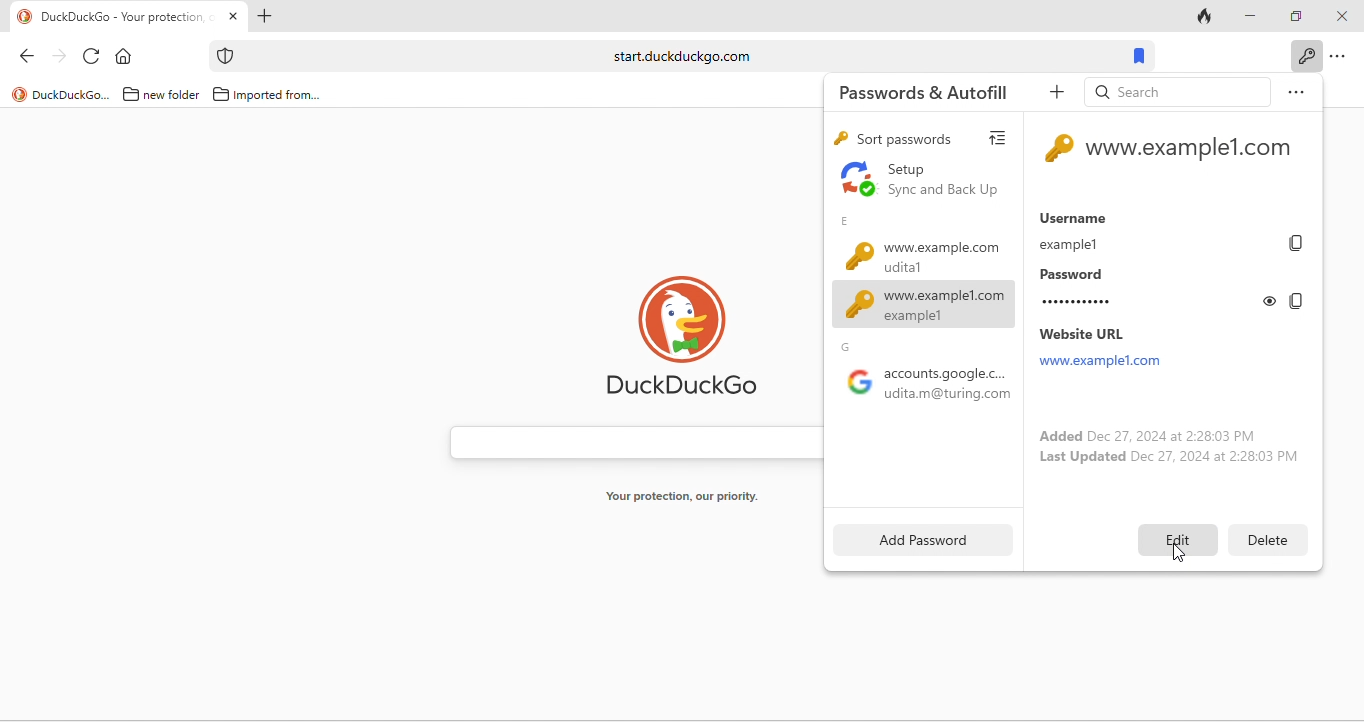 This screenshot has height=722, width=1364. I want to click on maximize, so click(1292, 14).